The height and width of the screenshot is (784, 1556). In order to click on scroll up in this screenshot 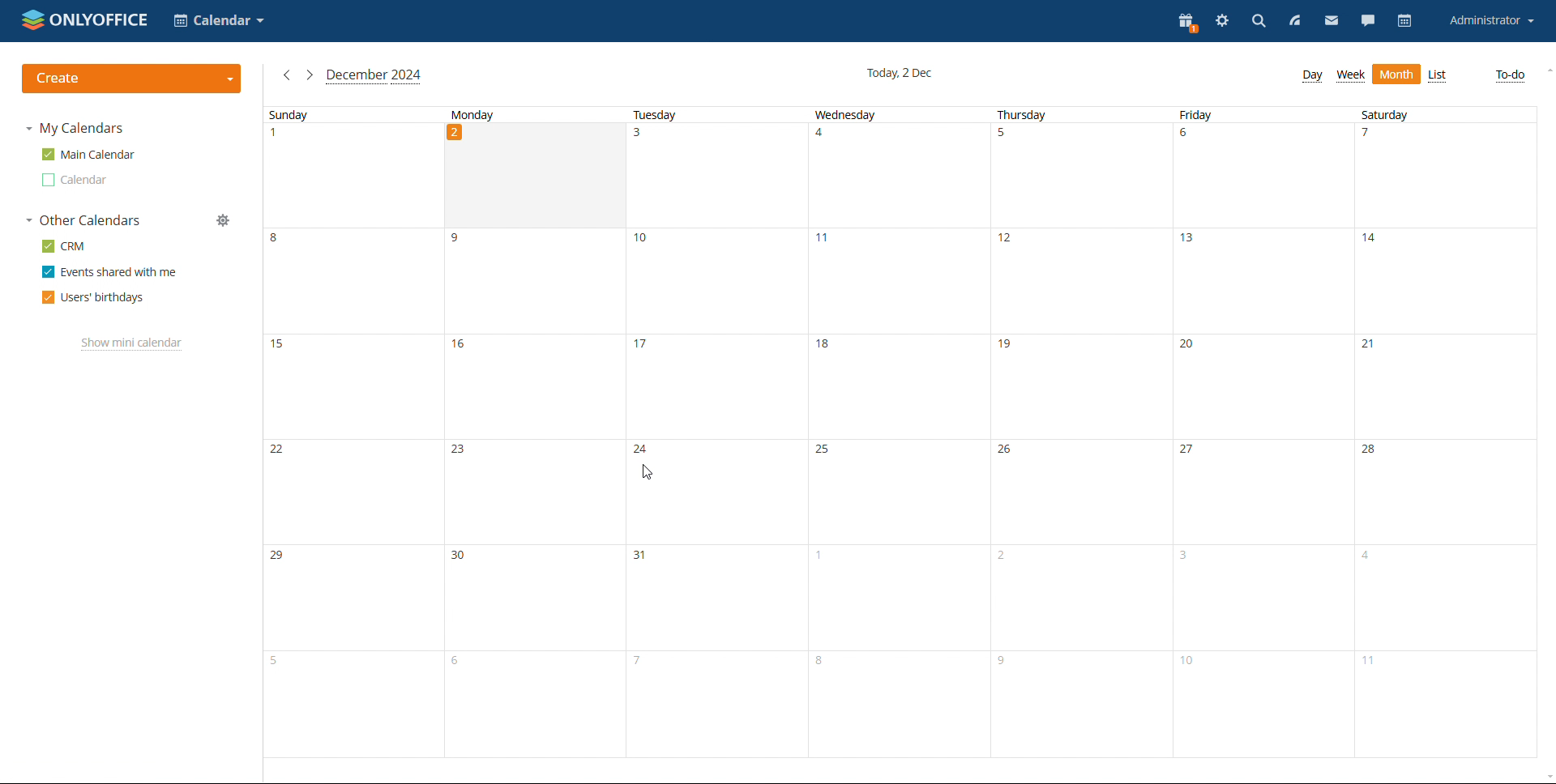, I will do `click(1546, 71)`.